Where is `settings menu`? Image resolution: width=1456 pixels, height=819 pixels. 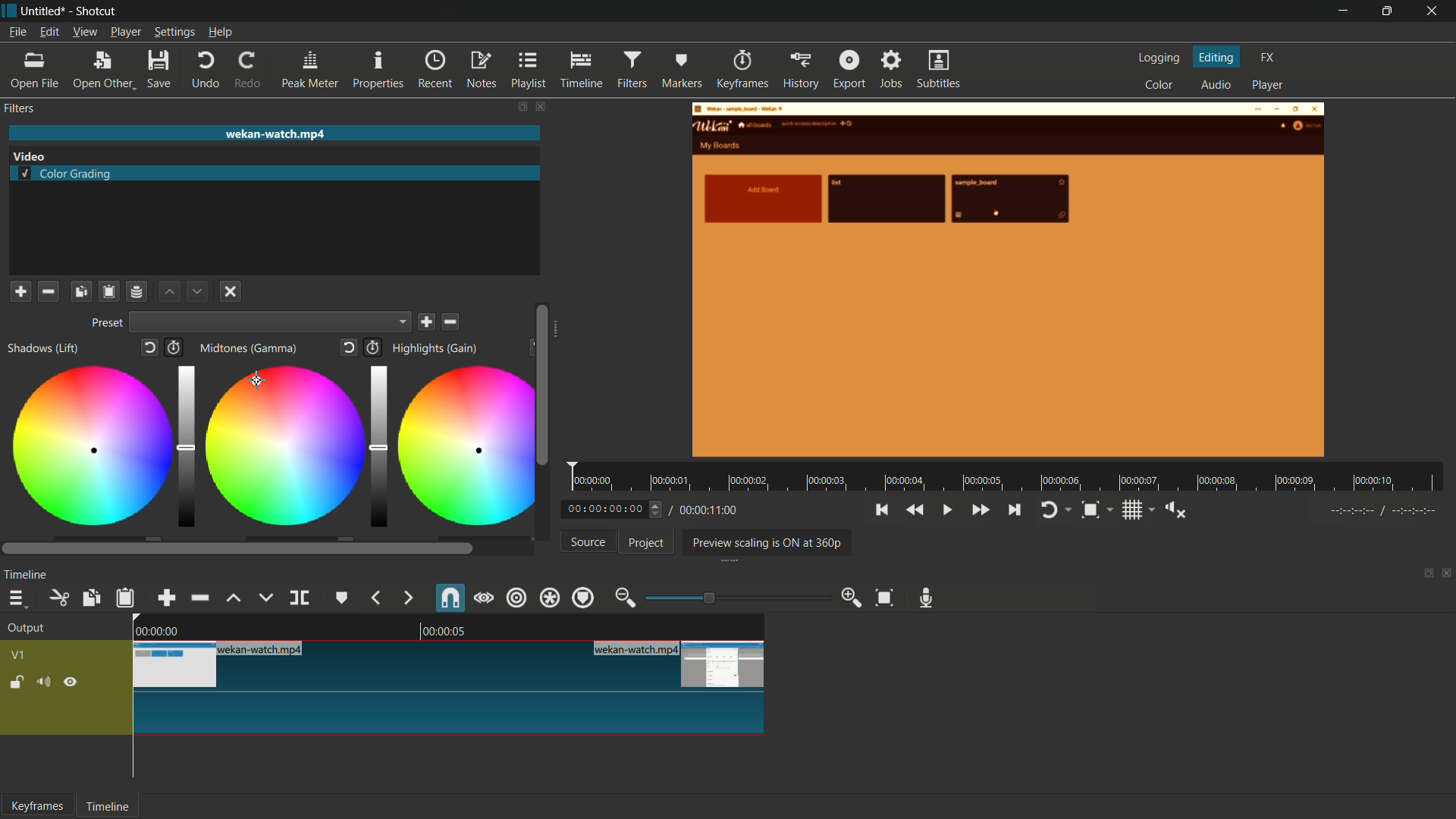
settings menu is located at coordinates (174, 32).